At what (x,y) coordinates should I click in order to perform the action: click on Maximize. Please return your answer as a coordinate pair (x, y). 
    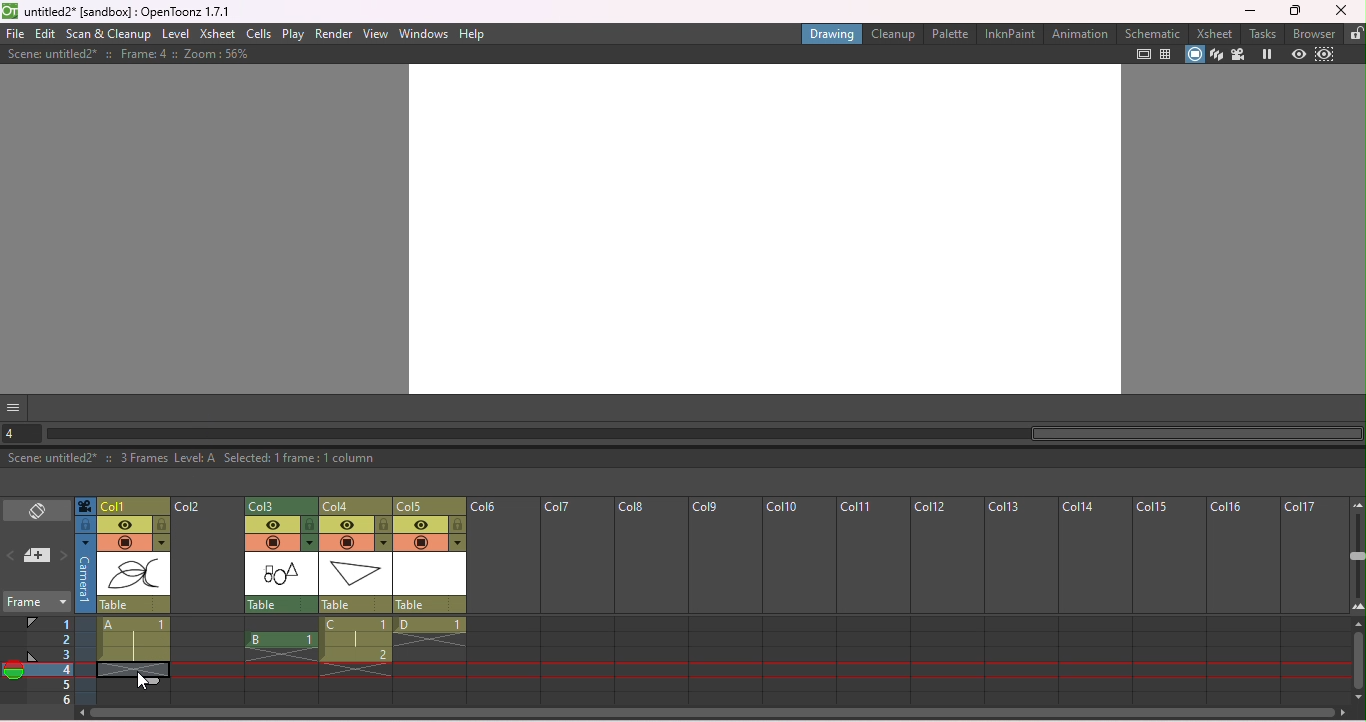
    Looking at the image, I should click on (1298, 11).